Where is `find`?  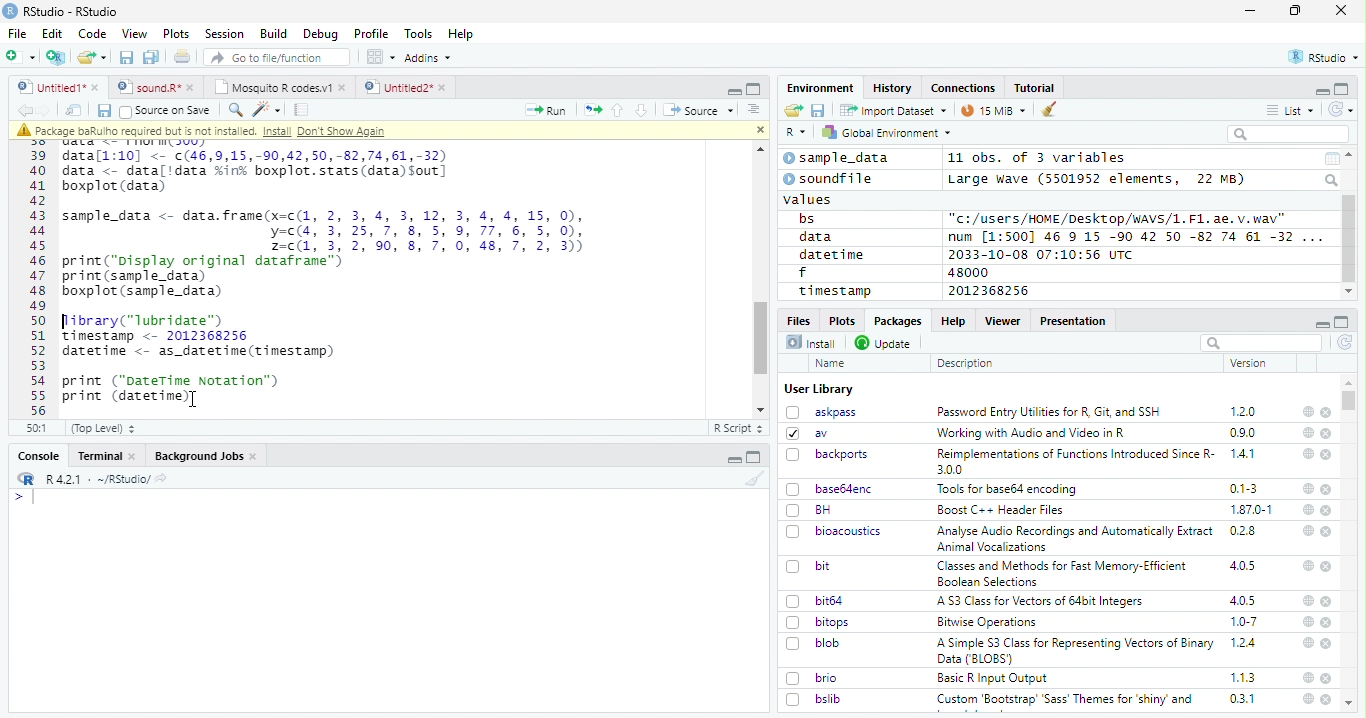
find is located at coordinates (233, 108).